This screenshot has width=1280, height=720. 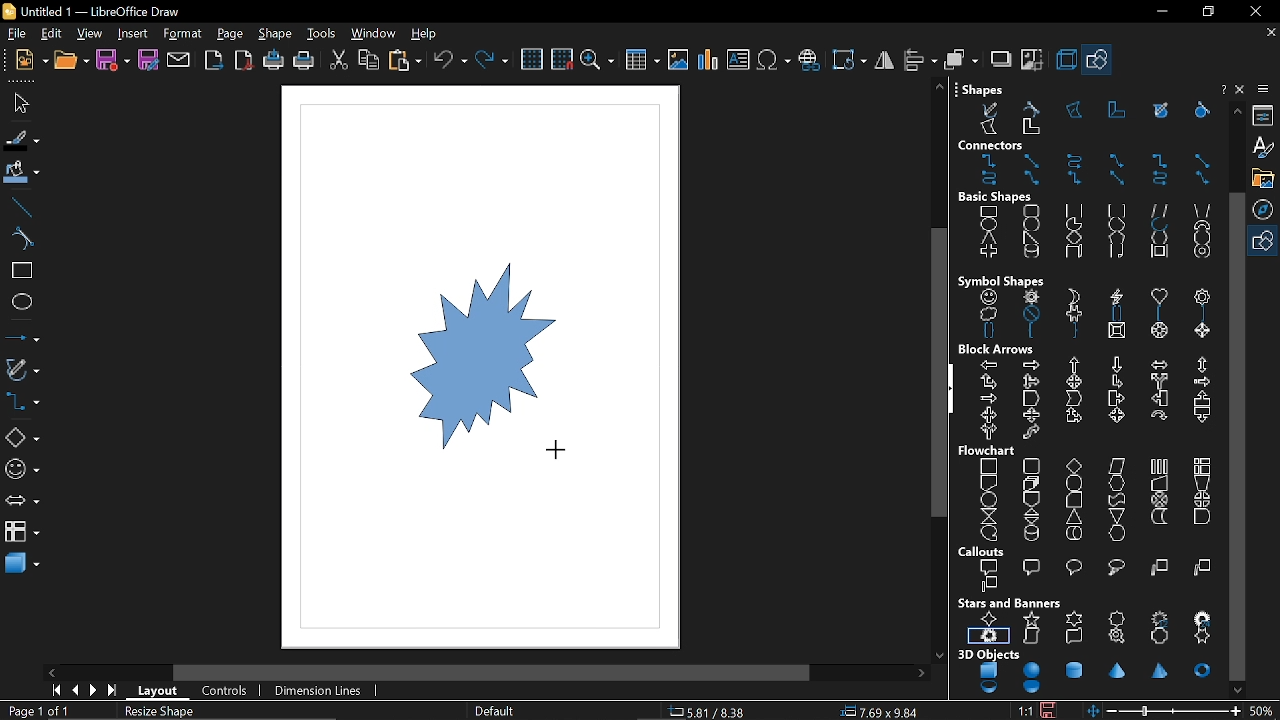 I want to click on gallery, so click(x=1263, y=178).